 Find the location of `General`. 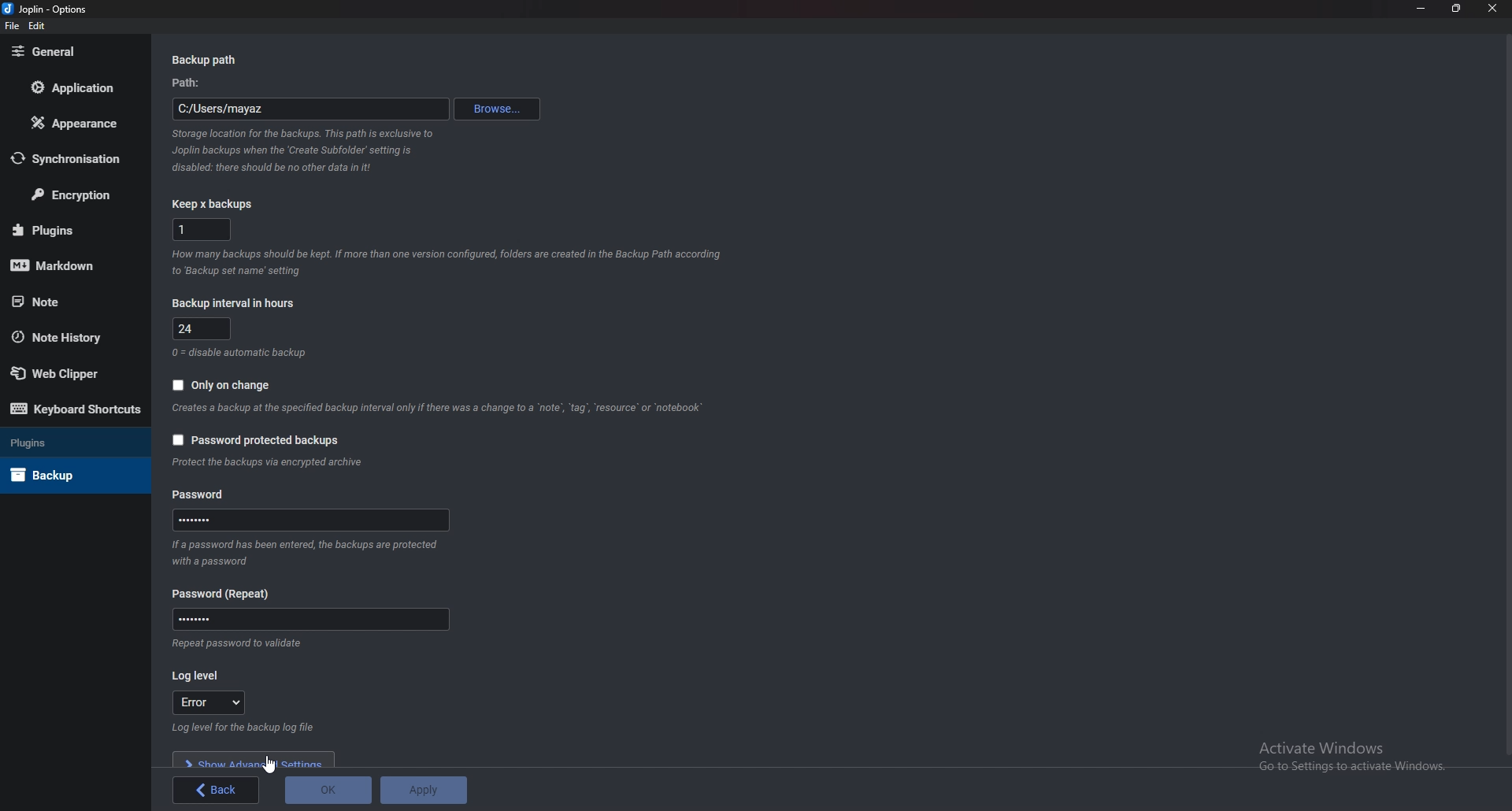

General is located at coordinates (73, 52).